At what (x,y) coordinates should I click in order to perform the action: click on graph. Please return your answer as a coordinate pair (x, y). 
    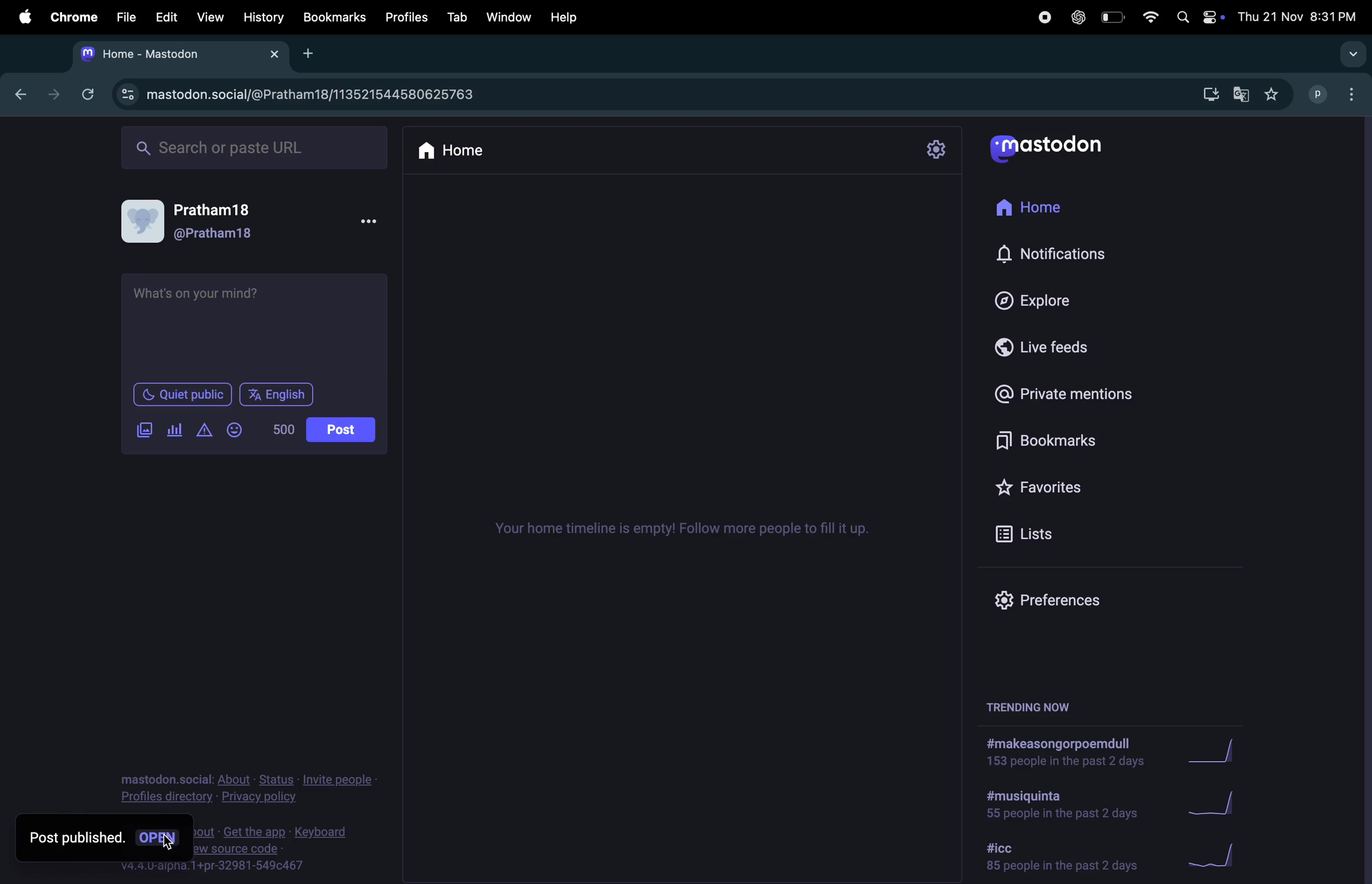
    Looking at the image, I should click on (1210, 858).